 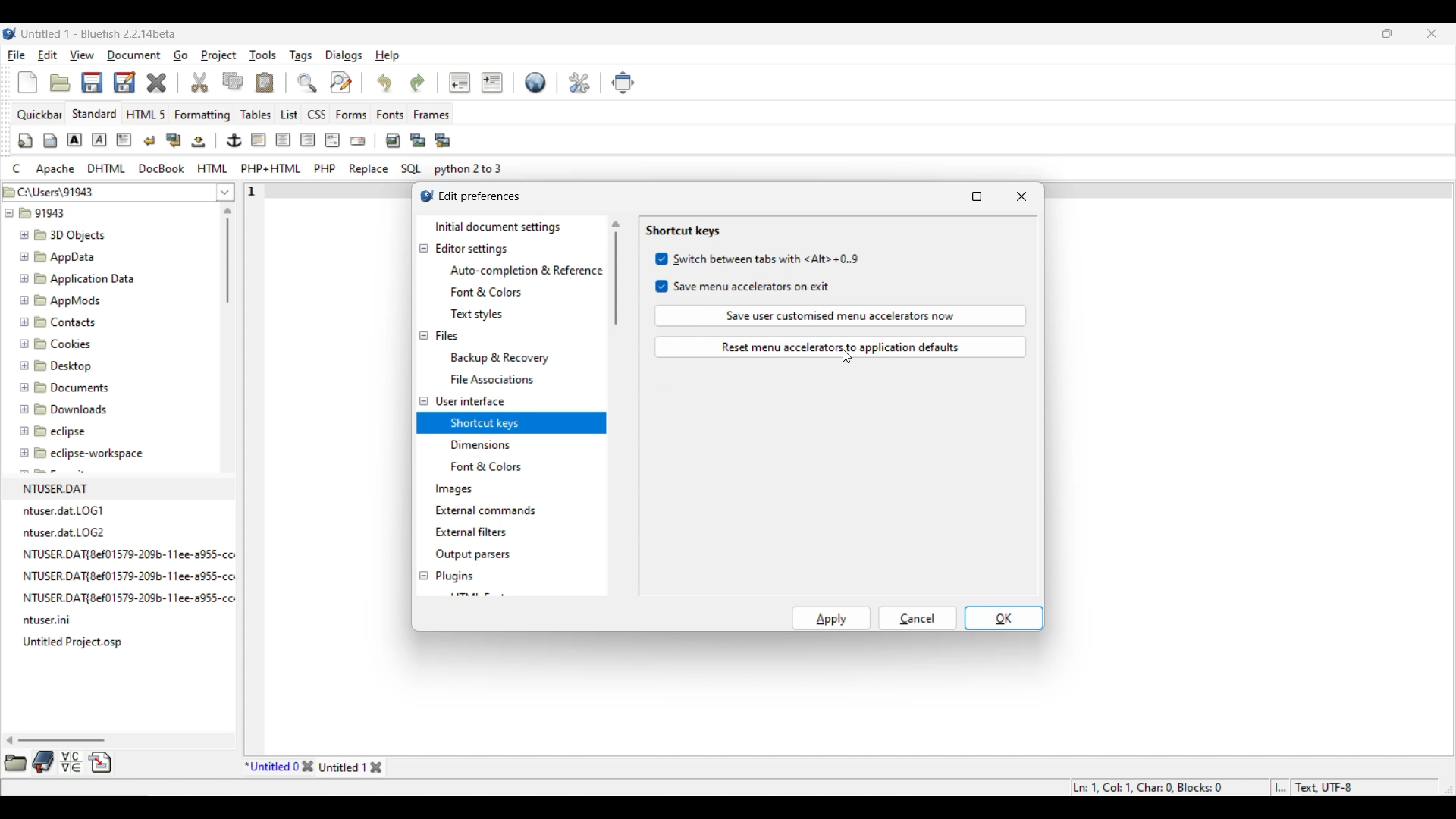 I want to click on shortcut keys, so click(x=484, y=421).